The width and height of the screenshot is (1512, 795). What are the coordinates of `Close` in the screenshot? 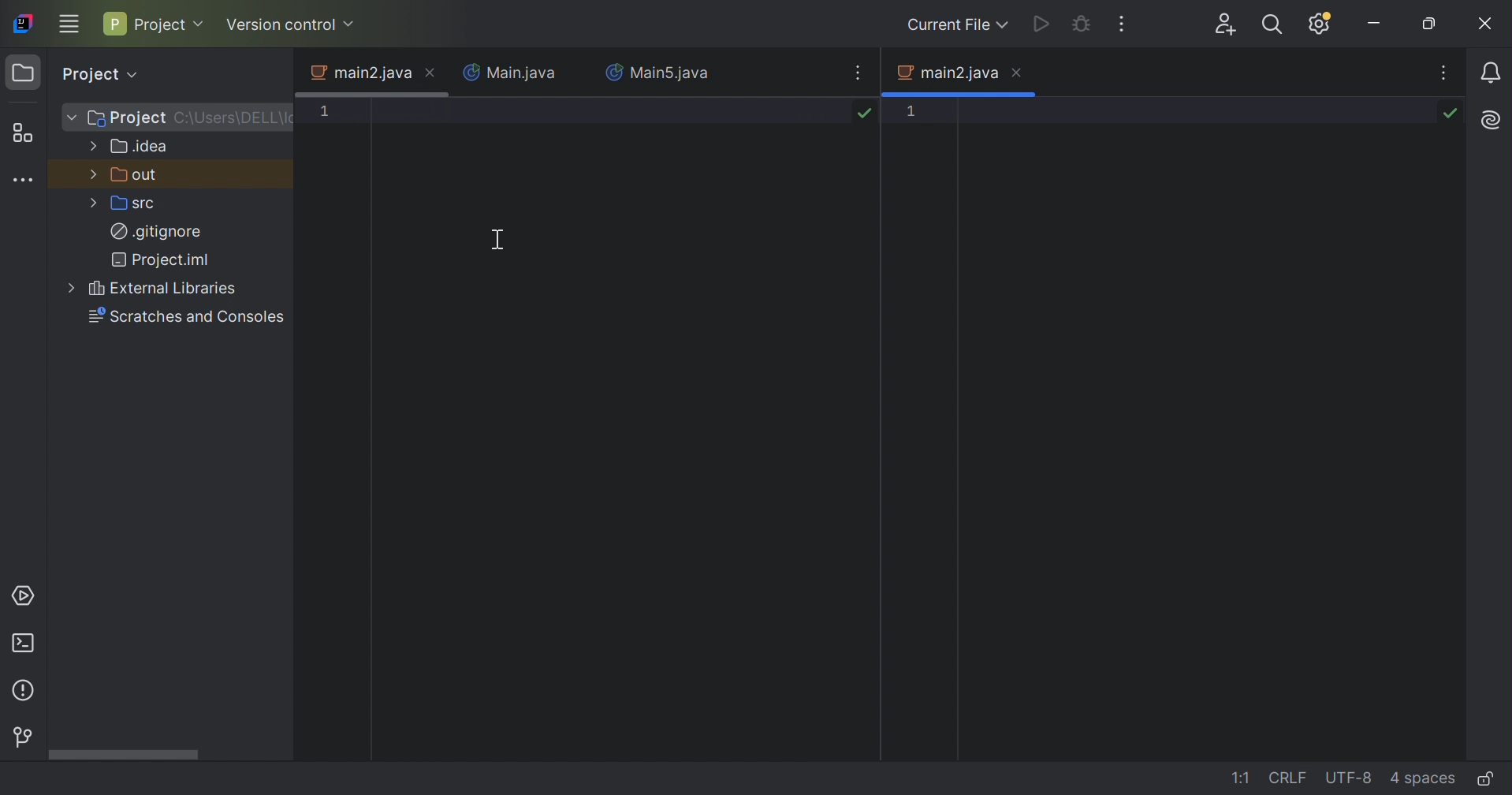 It's located at (1022, 73).